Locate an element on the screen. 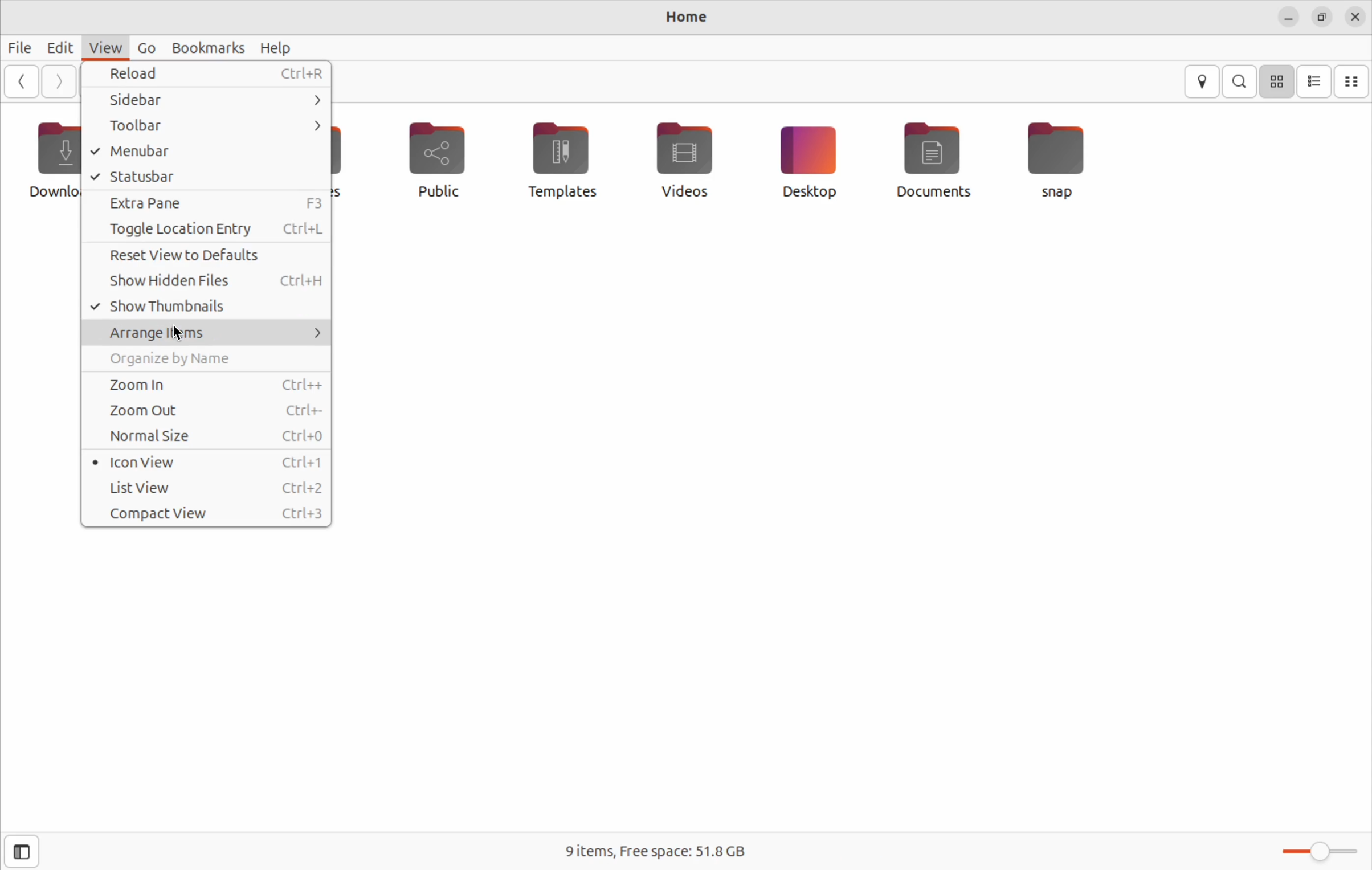  close is located at coordinates (1353, 17).